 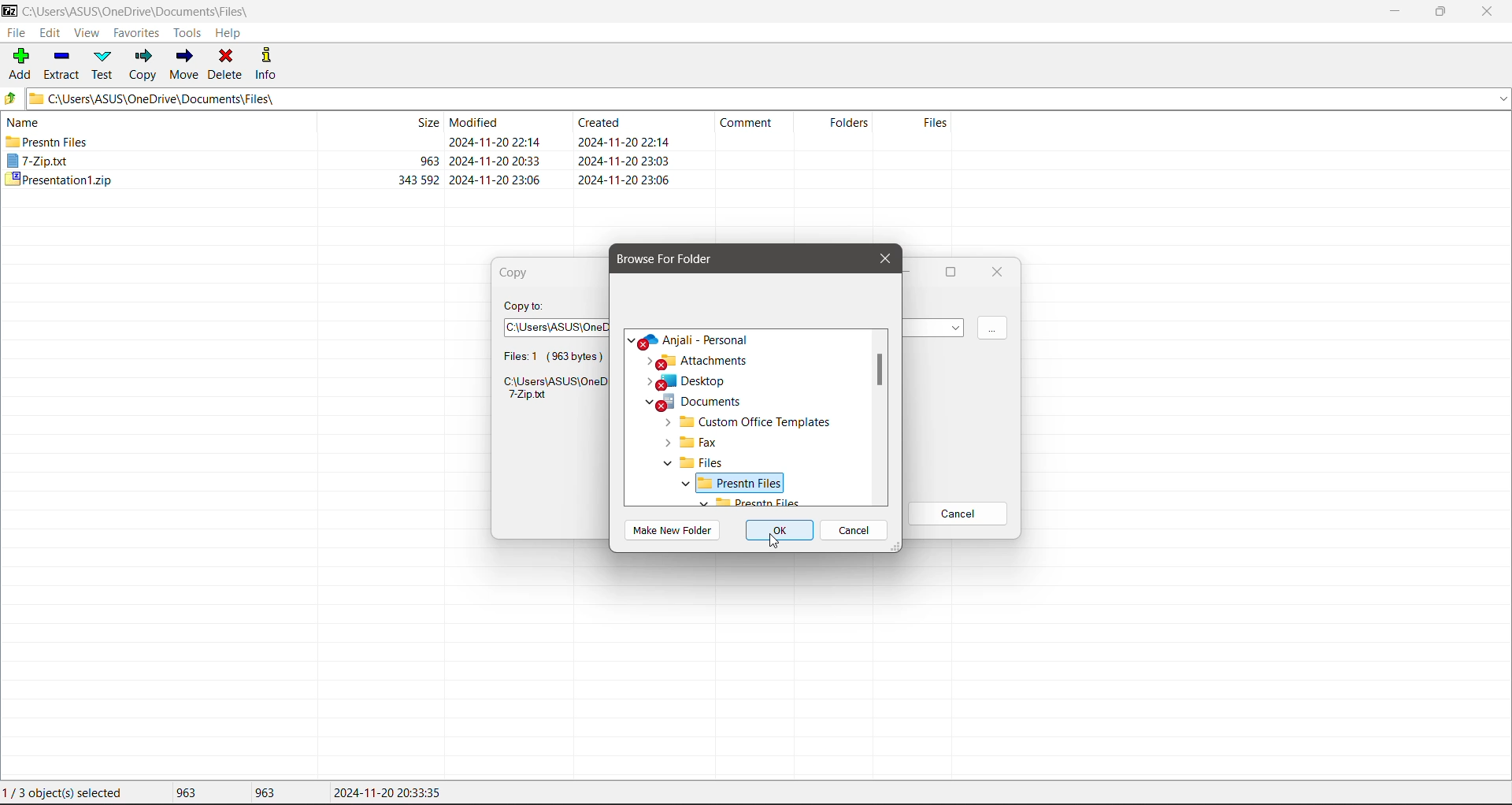 What do you see at coordinates (1442, 12) in the screenshot?
I see `Restore Down` at bounding box center [1442, 12].